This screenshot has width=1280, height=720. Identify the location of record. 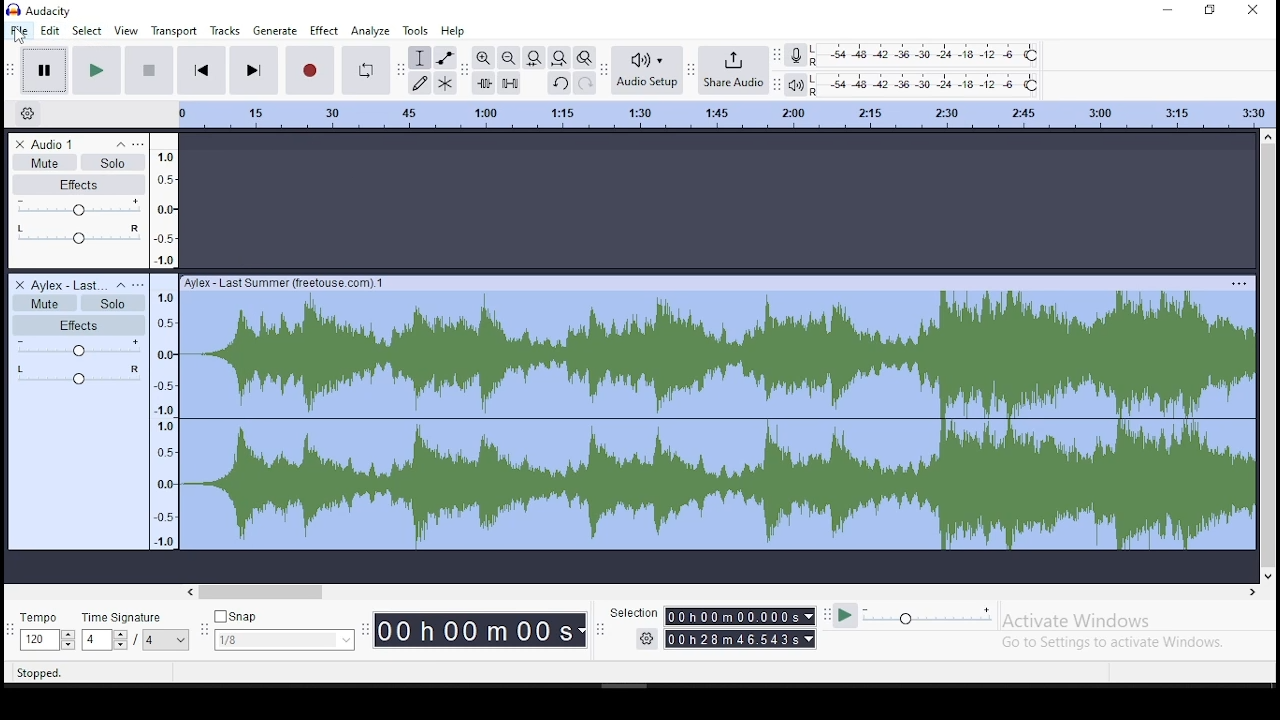
(310, 71).